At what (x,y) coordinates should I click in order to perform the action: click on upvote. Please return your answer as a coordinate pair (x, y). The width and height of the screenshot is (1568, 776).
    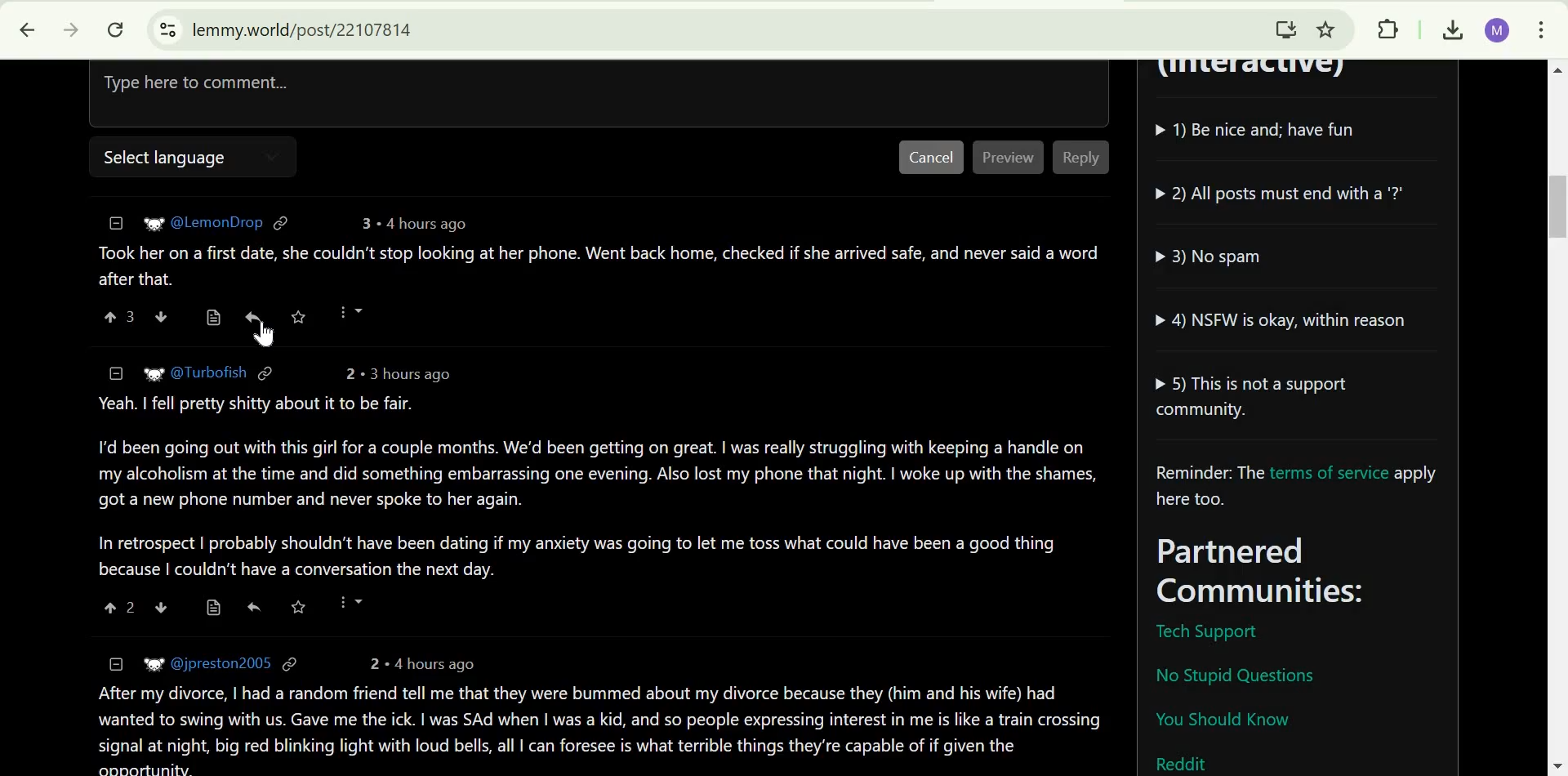
    Looking at the image, I should click on (120, 608).